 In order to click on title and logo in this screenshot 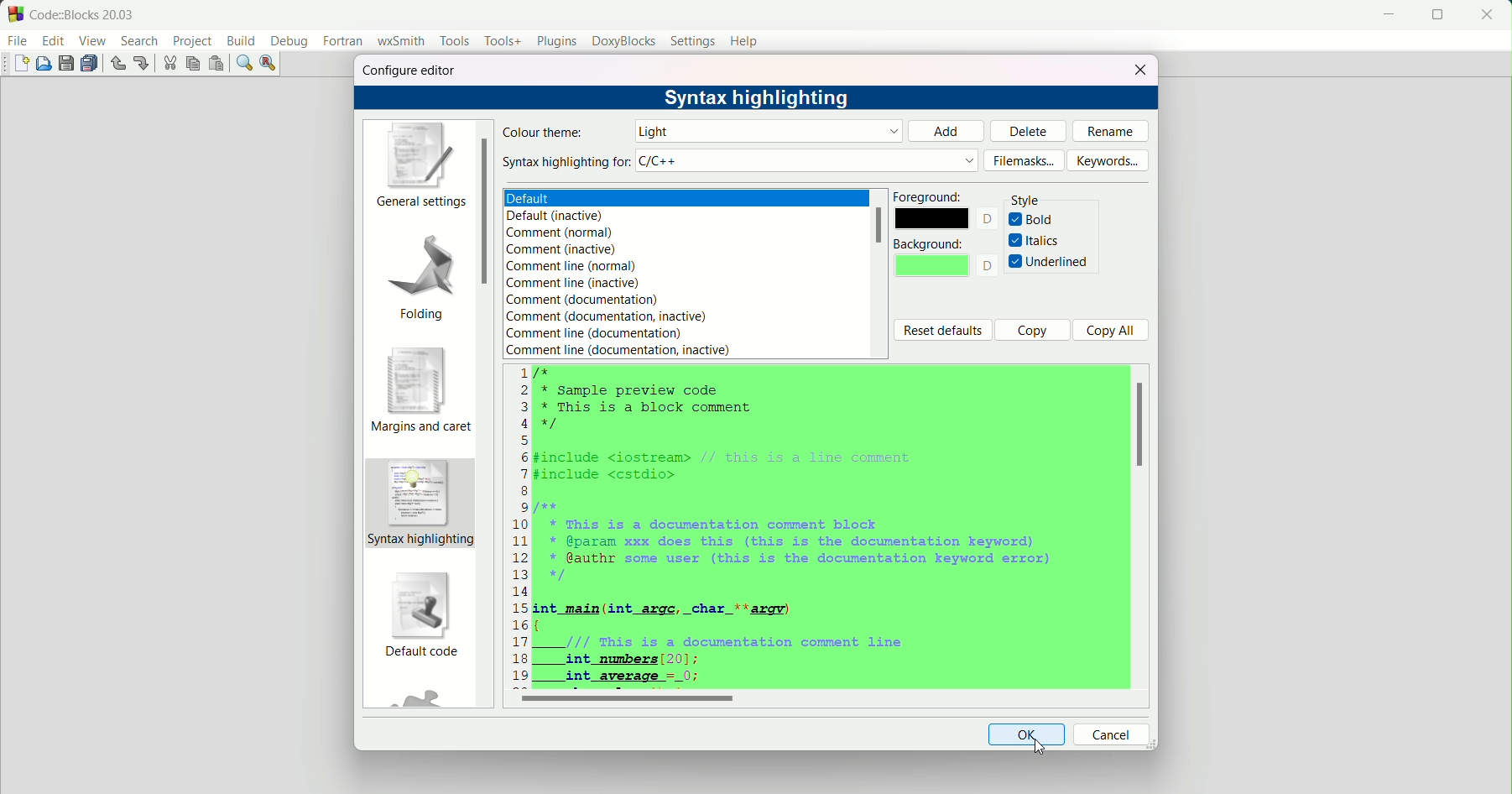, I will do `click(73, 13)`.